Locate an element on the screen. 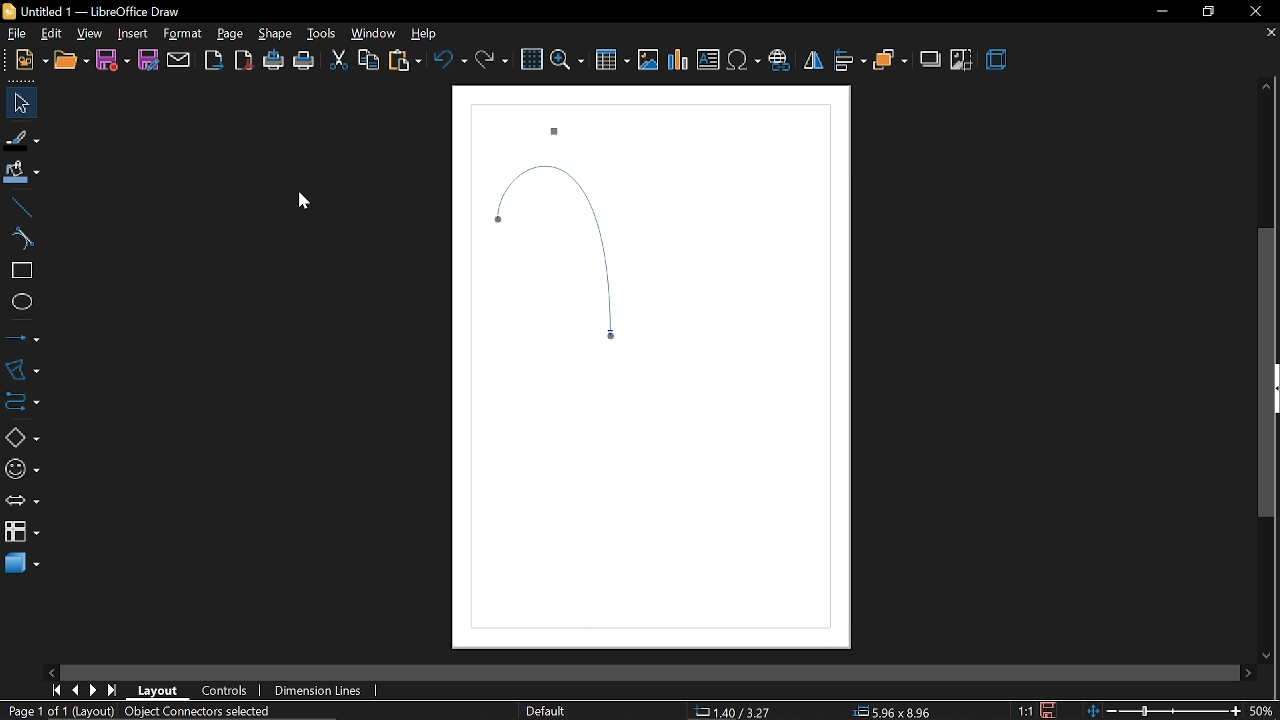 The width and height of the screenshot is (1280, 720). print is located at coordinates (304, 62).